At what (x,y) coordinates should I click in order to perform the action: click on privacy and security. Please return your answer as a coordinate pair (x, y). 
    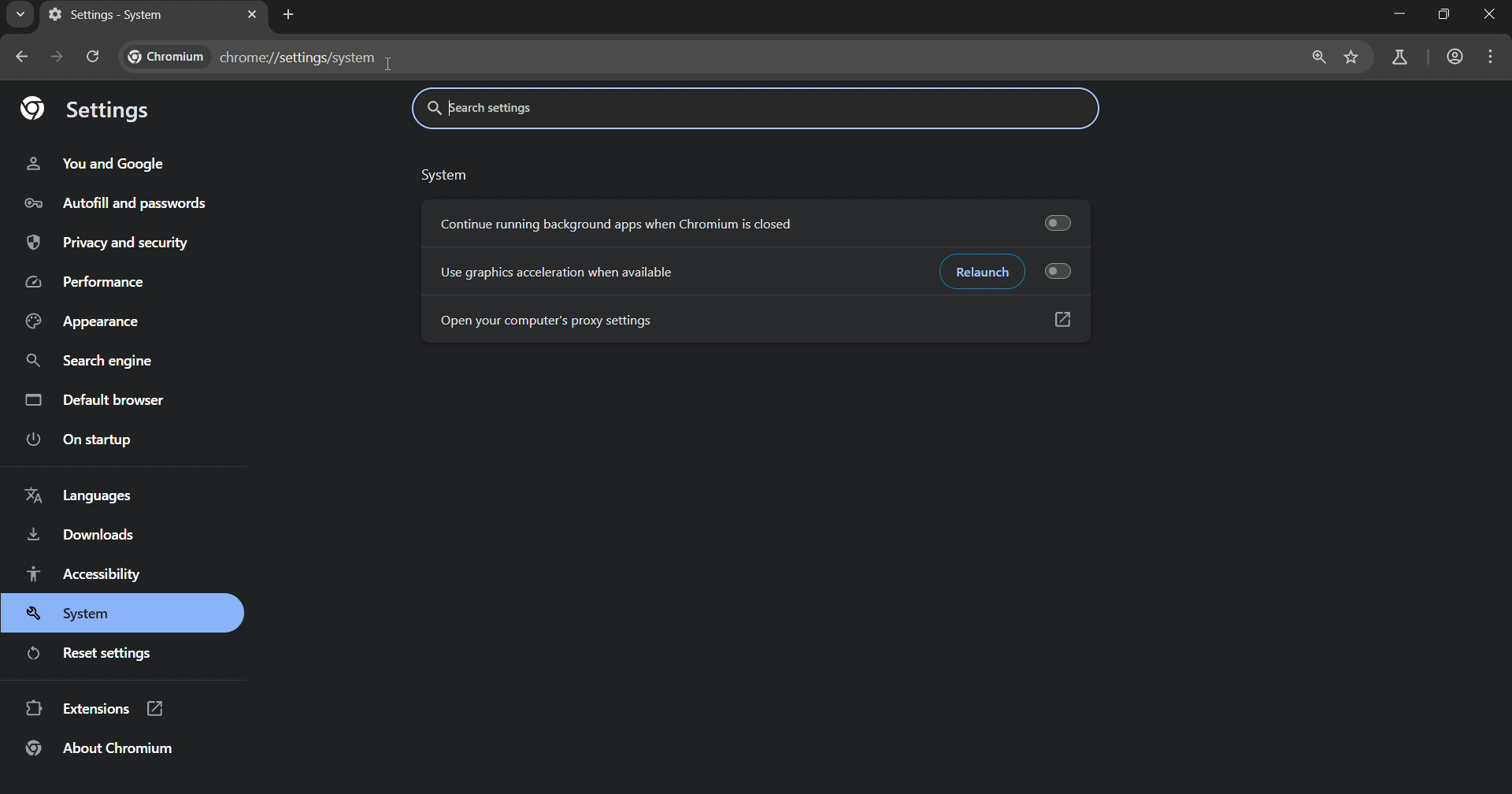
    Looking at the image, I should click on (108, 244).